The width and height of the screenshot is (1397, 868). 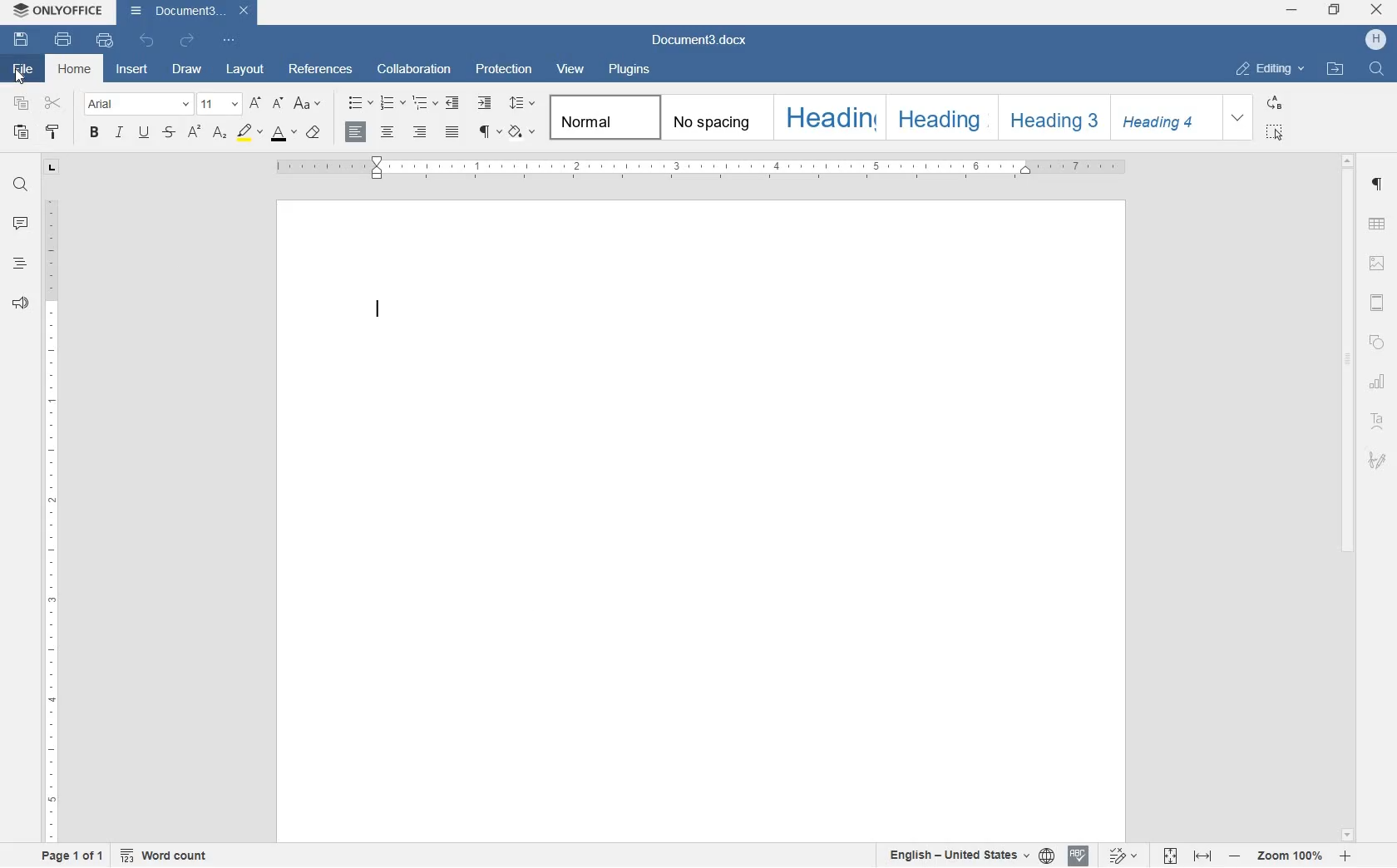 I want to click on fit to width, so click(x=1203, y=853).